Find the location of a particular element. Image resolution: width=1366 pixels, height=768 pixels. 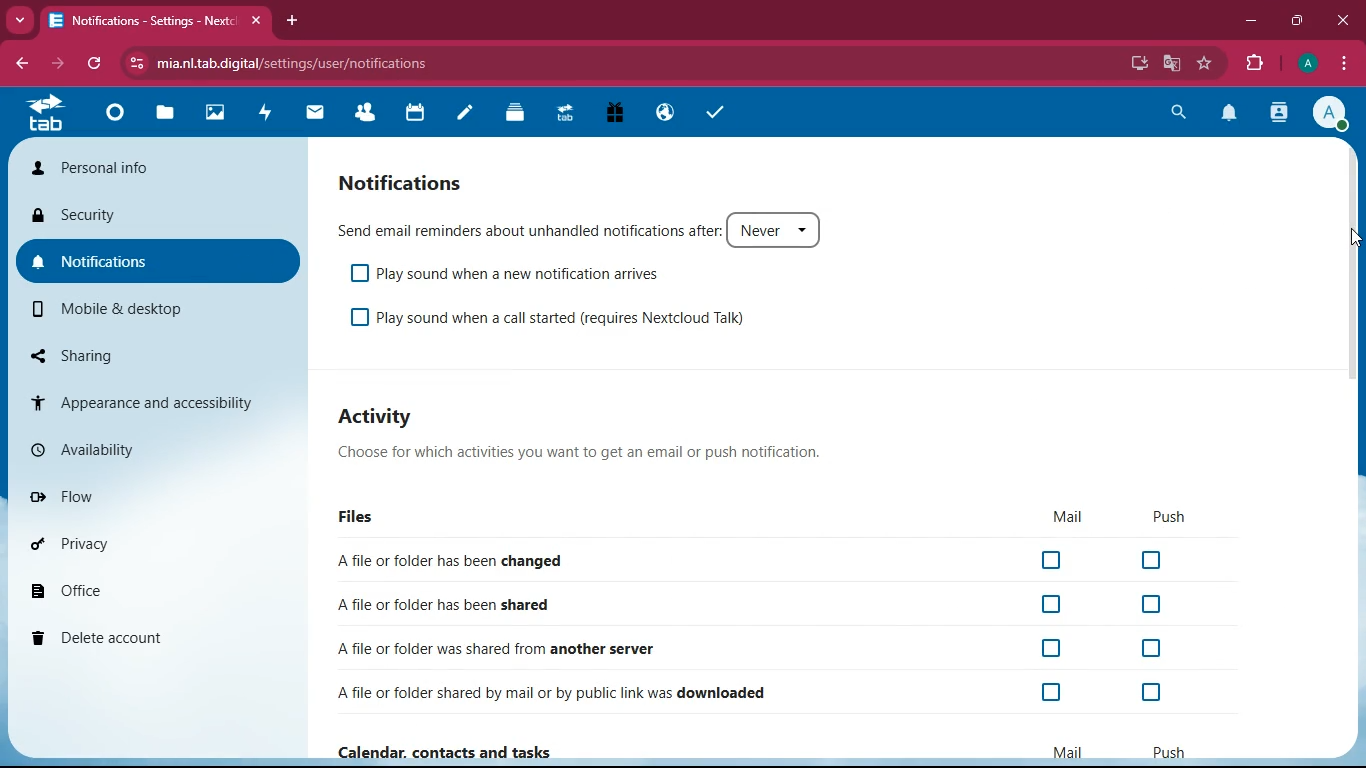

notes is located at coordinates (468, 116).